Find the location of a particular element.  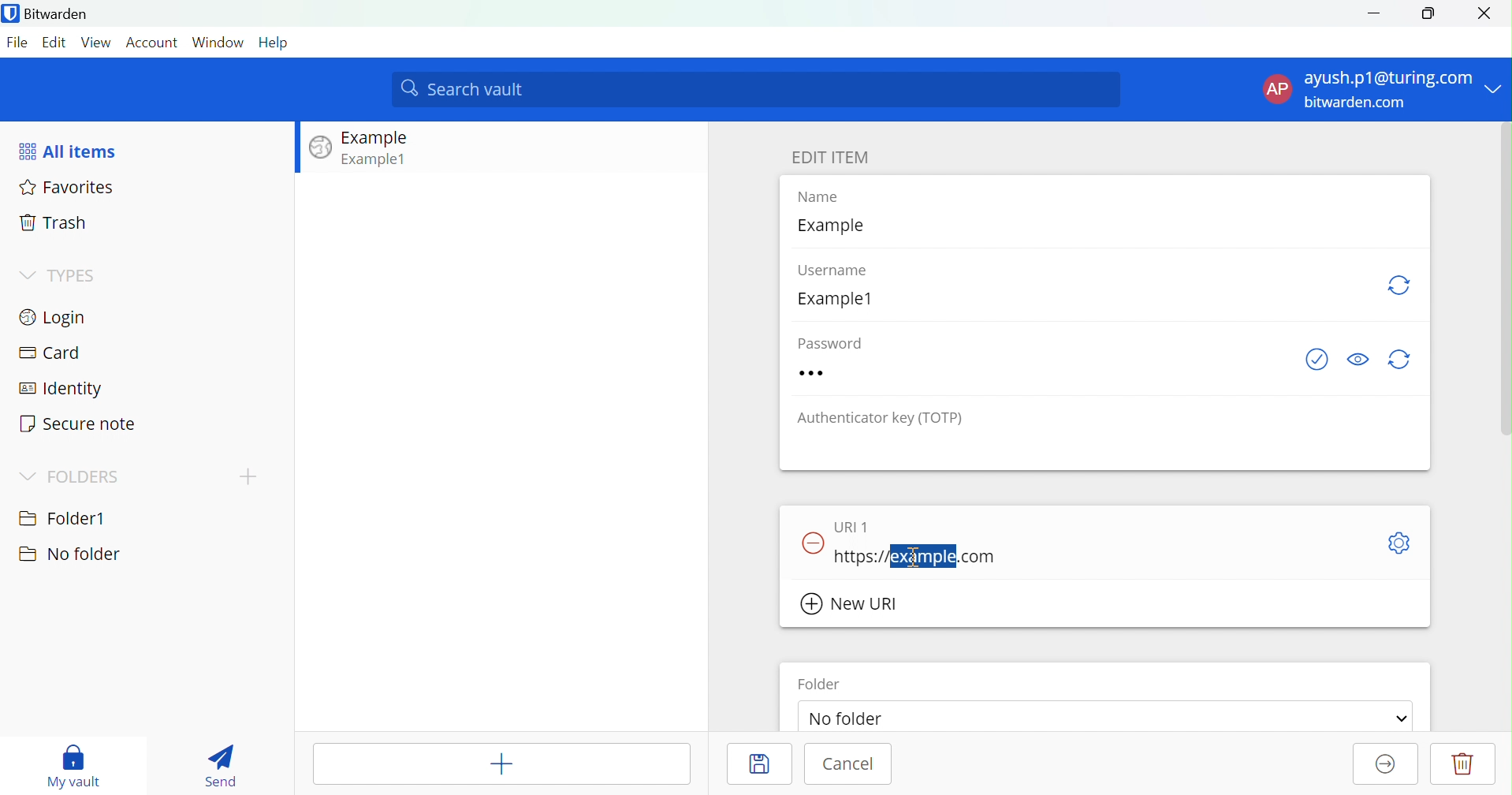

Example is located at coordinates (378, 138).